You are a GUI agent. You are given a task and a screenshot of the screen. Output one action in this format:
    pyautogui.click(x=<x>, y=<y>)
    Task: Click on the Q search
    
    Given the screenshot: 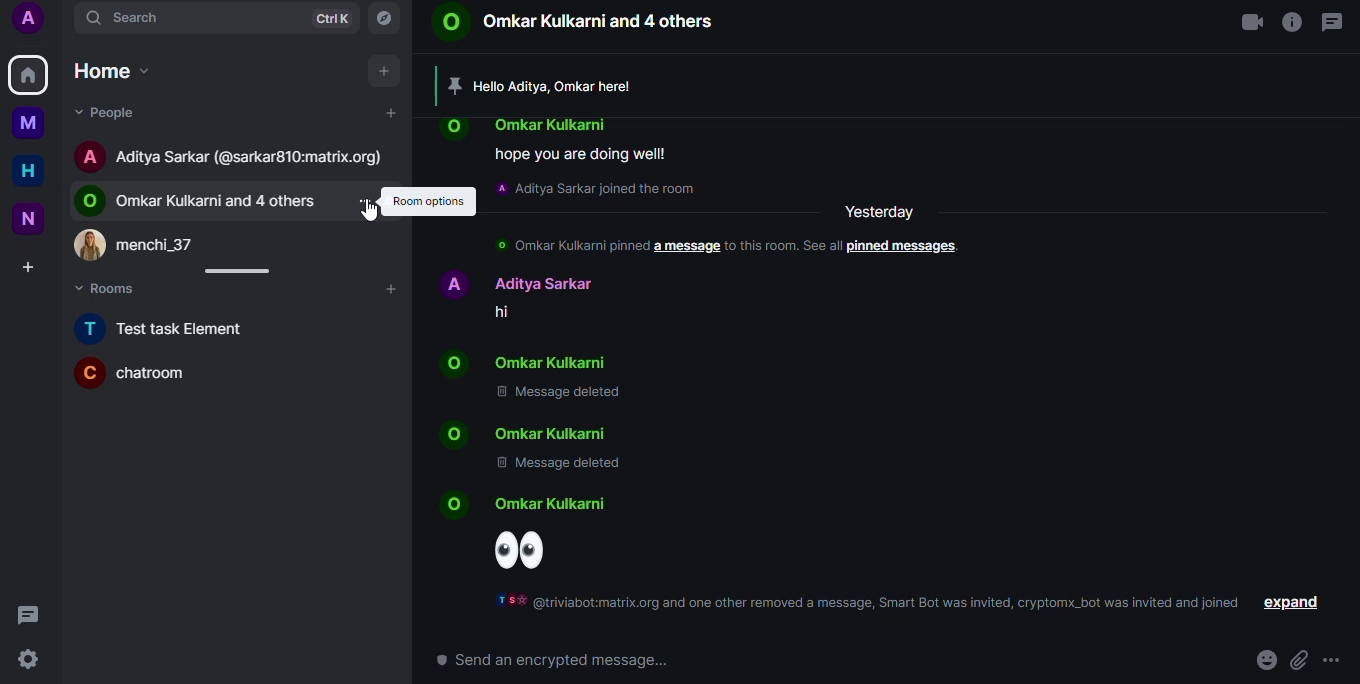 What is the action you would take?
    pyautogui.click(x=131, y=19)
    